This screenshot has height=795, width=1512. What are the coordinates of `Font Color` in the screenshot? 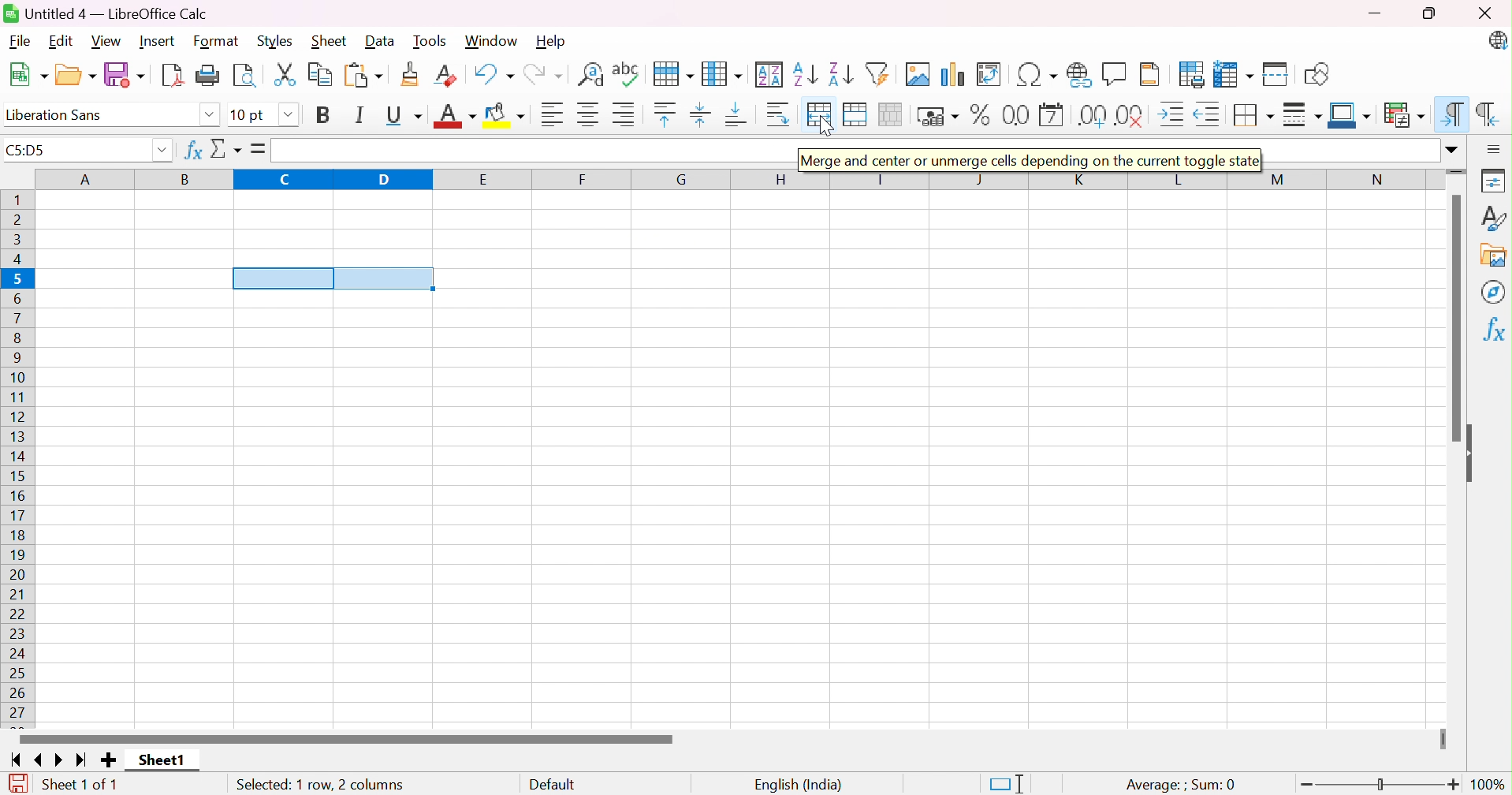 It's located at (455, 115).